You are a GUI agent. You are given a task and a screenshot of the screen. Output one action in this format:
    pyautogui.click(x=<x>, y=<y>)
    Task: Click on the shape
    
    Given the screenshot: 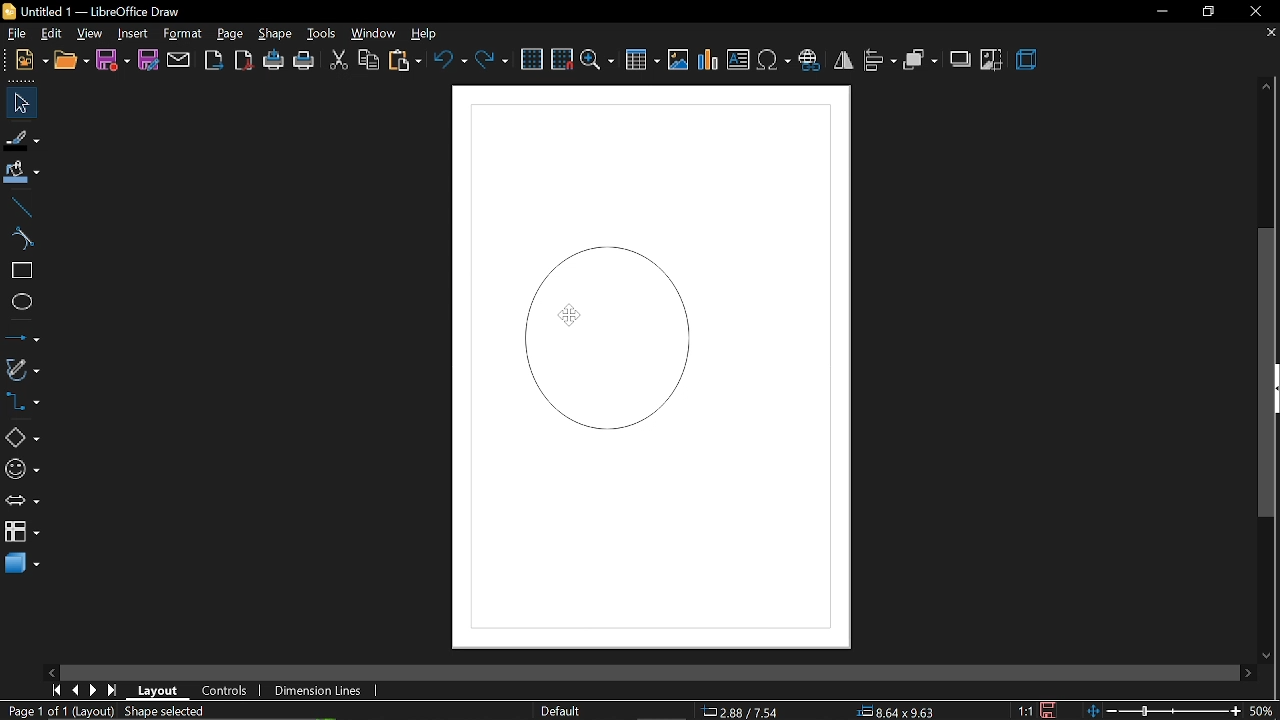 What is the action you would take?
    pyautogui.click(x=277, y=32)
    